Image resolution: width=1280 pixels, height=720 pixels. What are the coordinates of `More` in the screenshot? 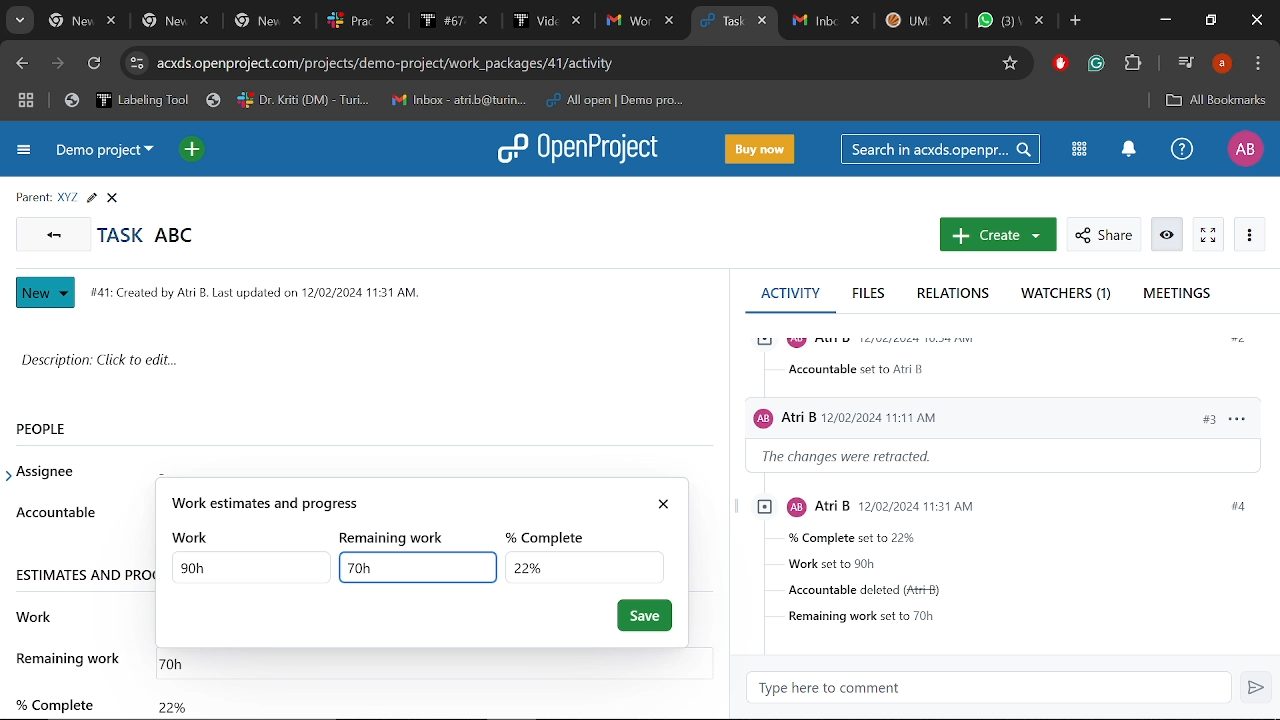 It's located at (1250, 235).